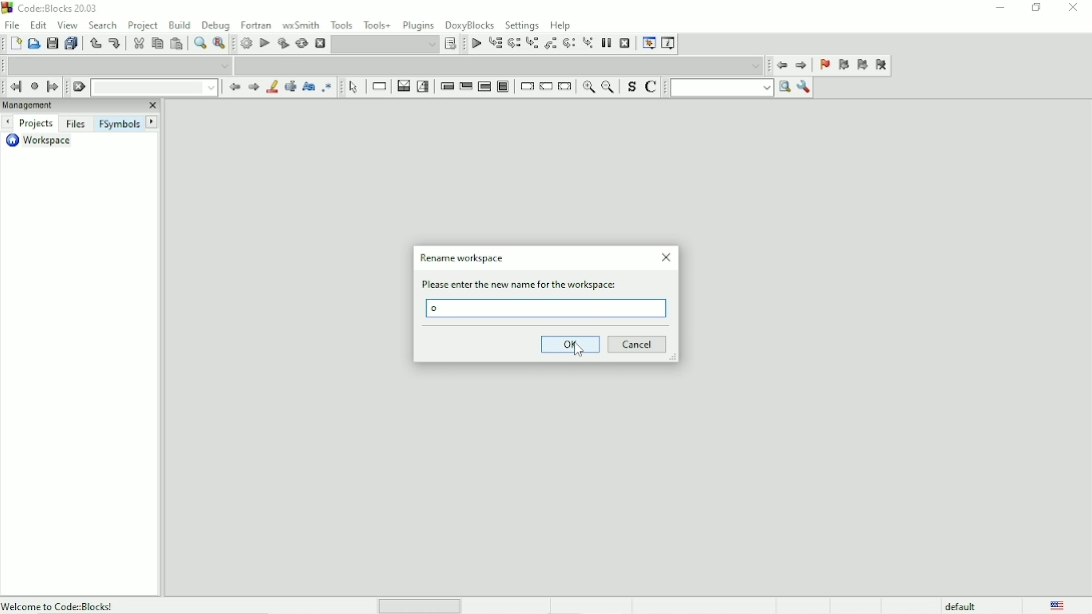 Image resolution: width=1092 pixels, height=614 pixels. Describe the element at coordinates (320, 42) in the screenshot. I see `Abort` at that location.